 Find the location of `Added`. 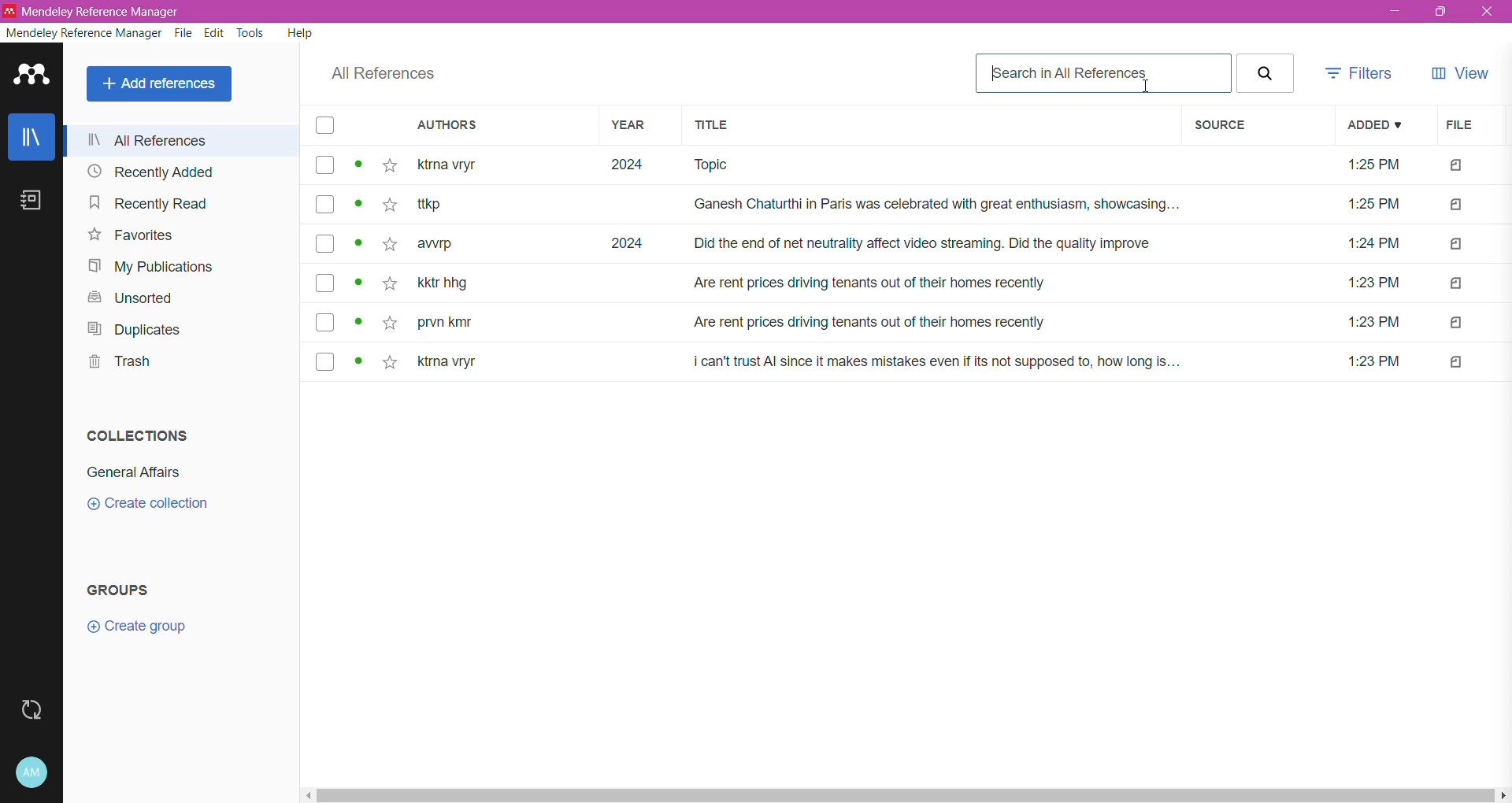

Added is located at coordinates (1375, 125).